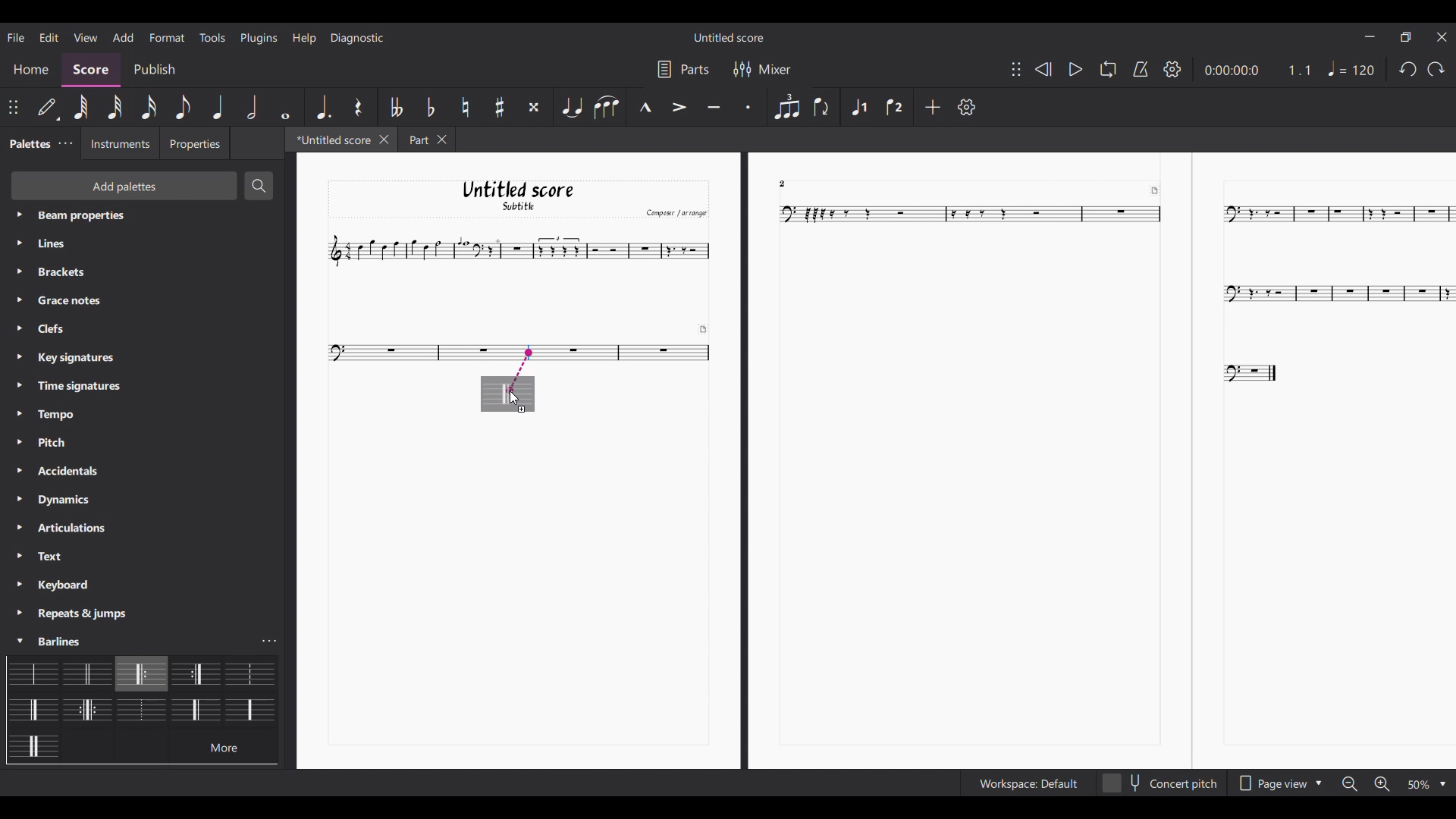 This screenshot has width=1456, height=819. I want to click on View menu, so click(86, 36).